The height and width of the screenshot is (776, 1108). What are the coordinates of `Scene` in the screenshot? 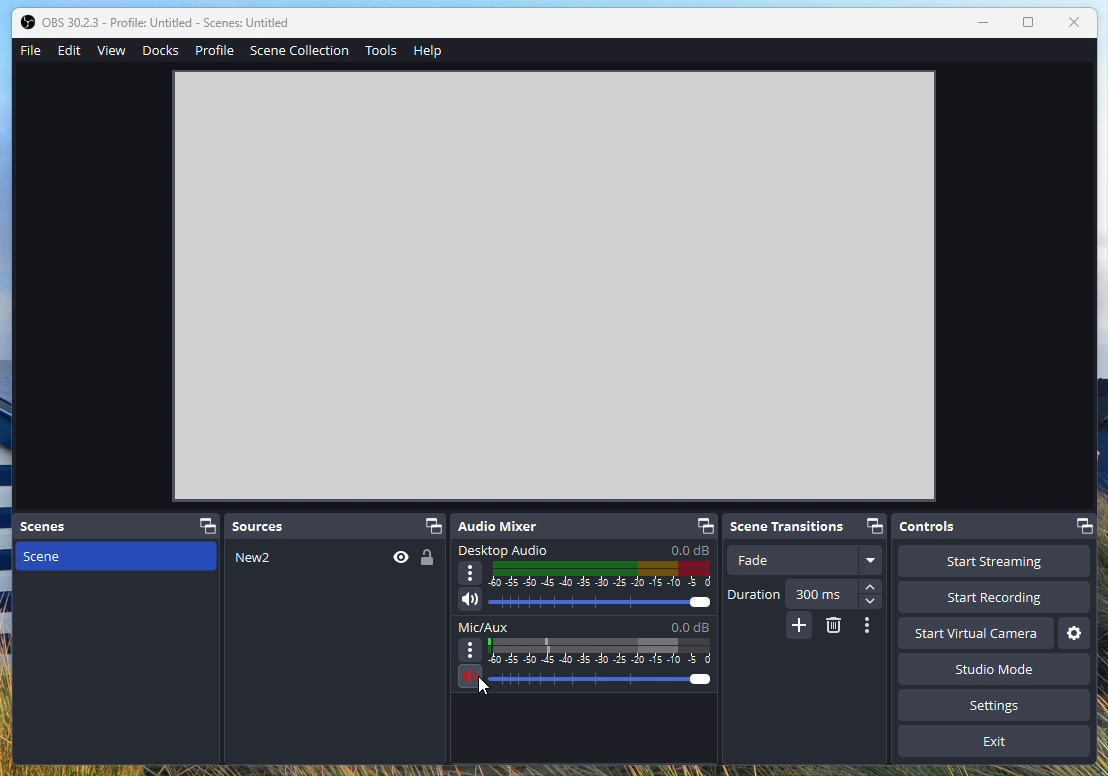 It's located at (118, 651).